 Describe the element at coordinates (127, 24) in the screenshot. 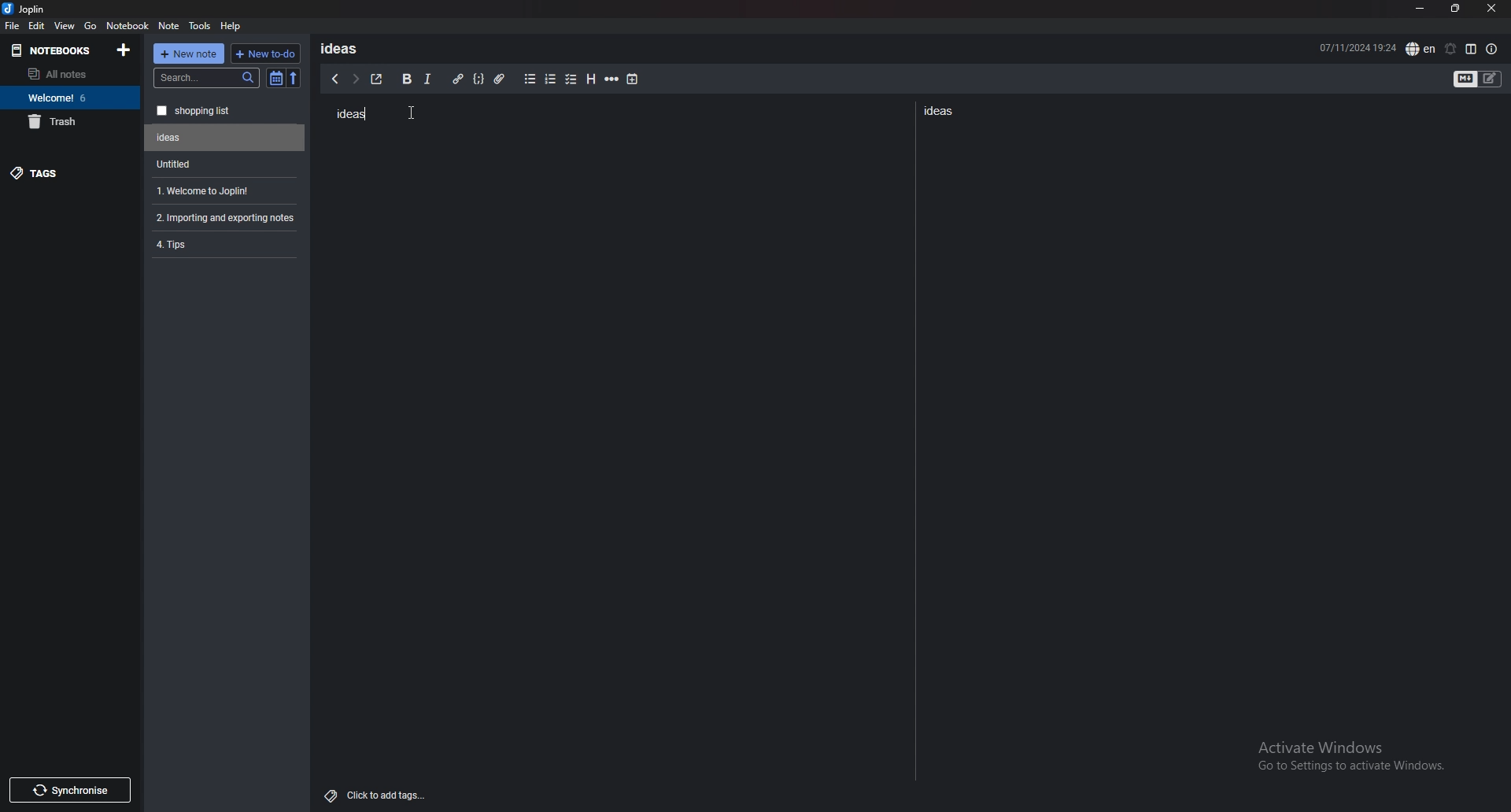

I see `notebook` at that location.